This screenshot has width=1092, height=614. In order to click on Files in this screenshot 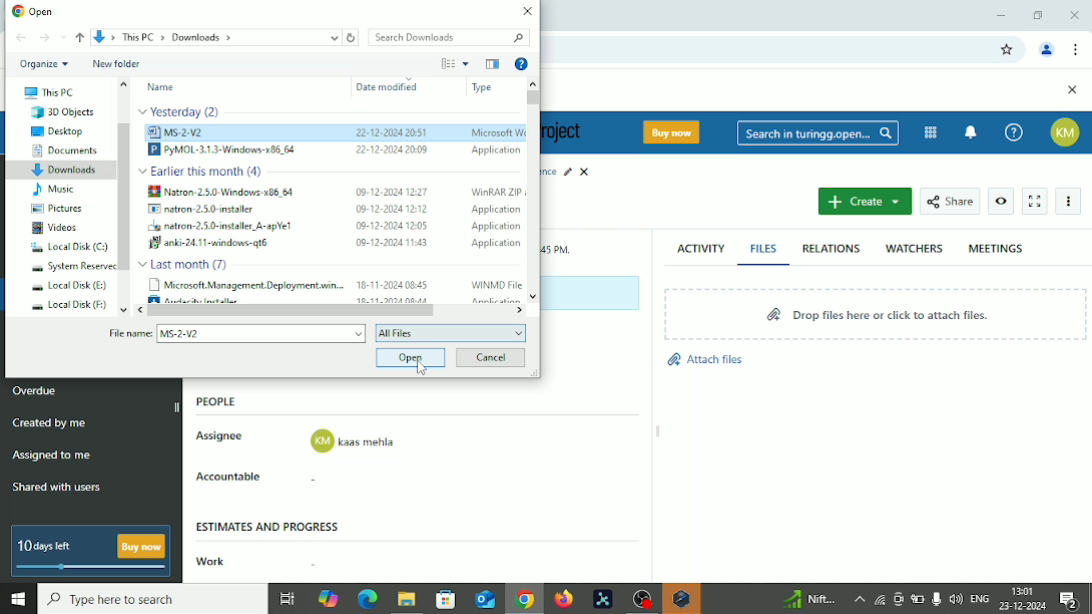, I will do `click(766, 248)`.